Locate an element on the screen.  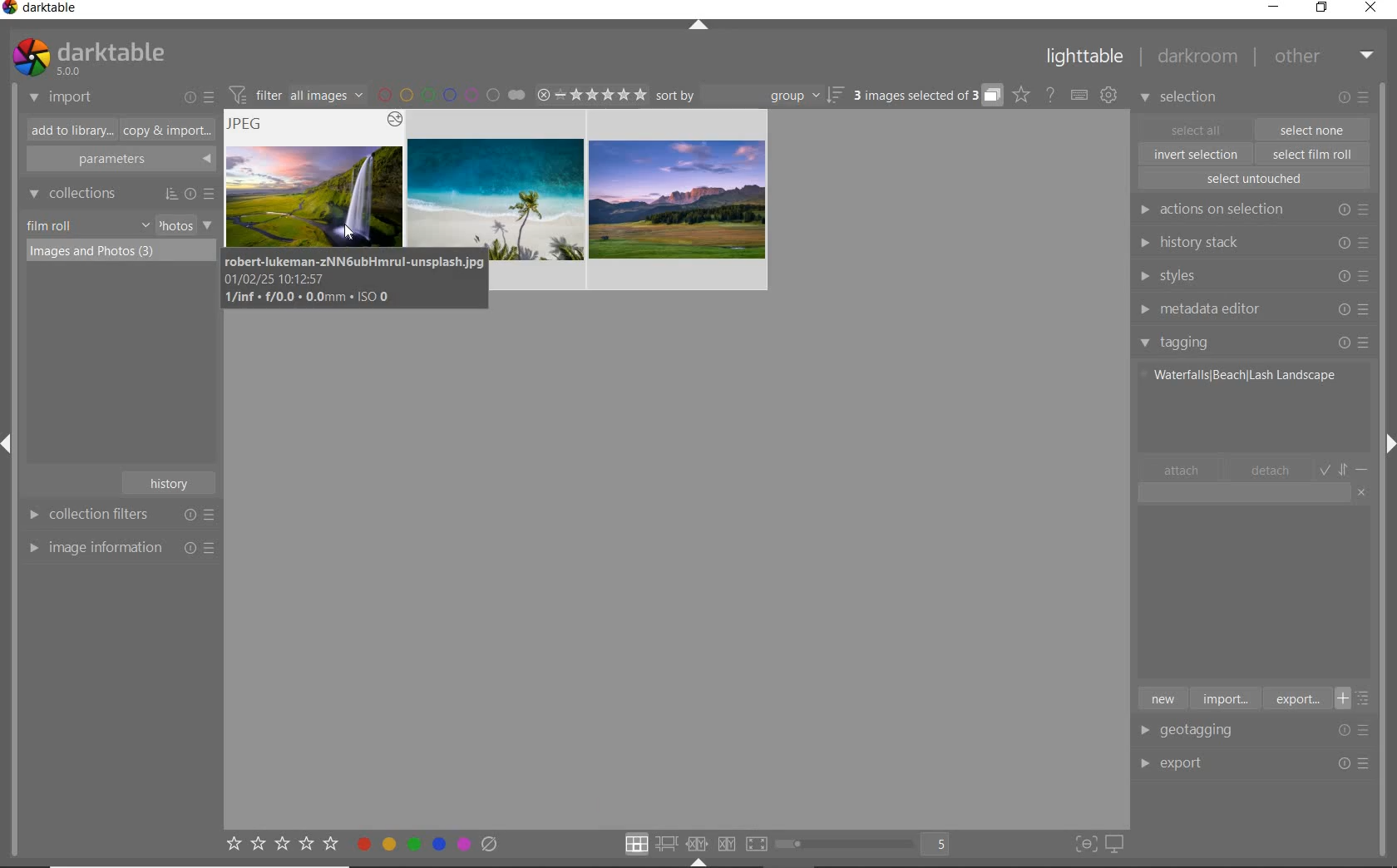
filter by image color label is located at coordinates (451, 94).